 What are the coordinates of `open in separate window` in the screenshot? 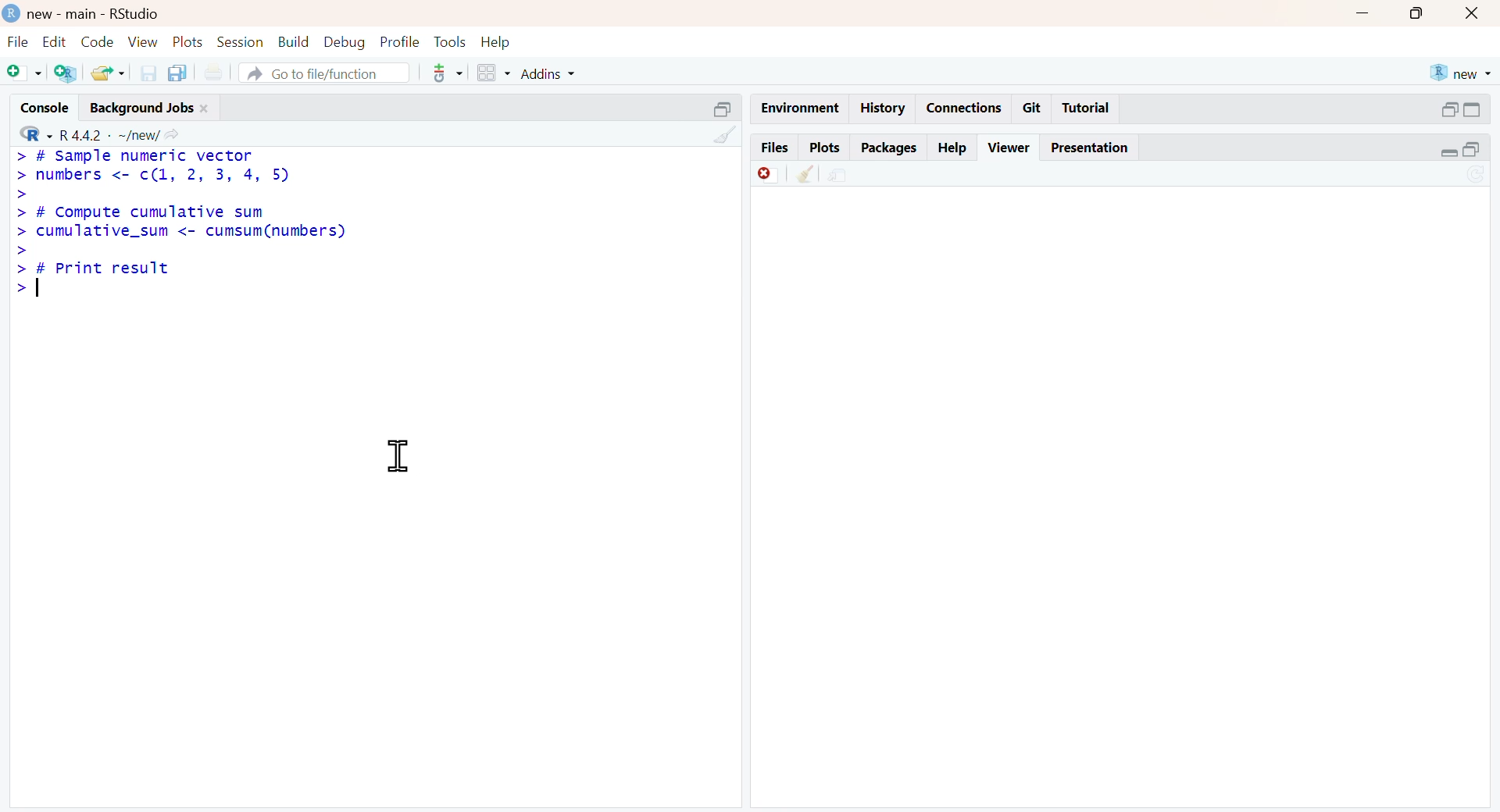 It's located at (1471, 150).